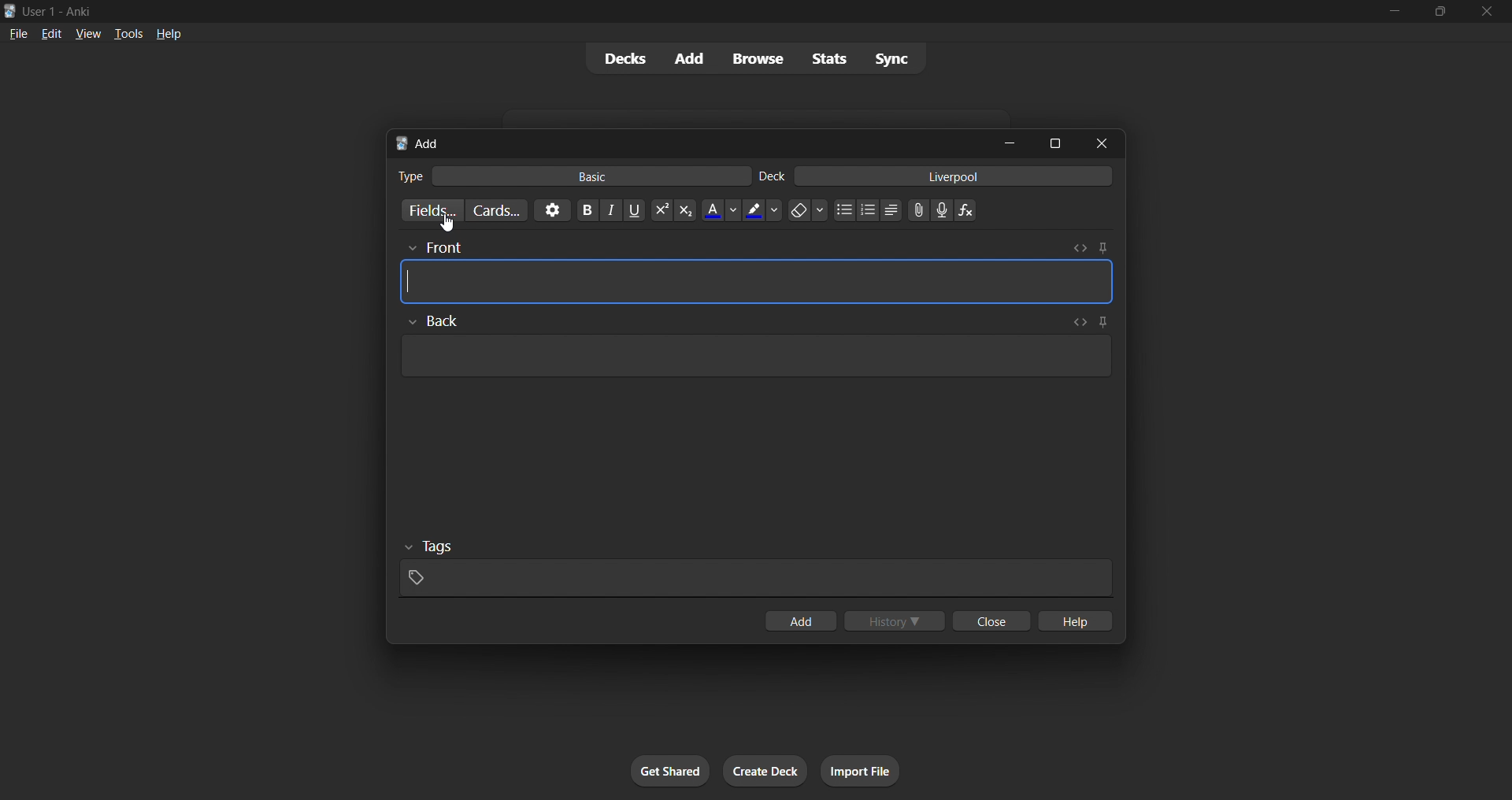 The image size is (1512, 800). Describe the element at coordinates (1102, 248) in the screenshot. I see `Toggle sticky` at that location.